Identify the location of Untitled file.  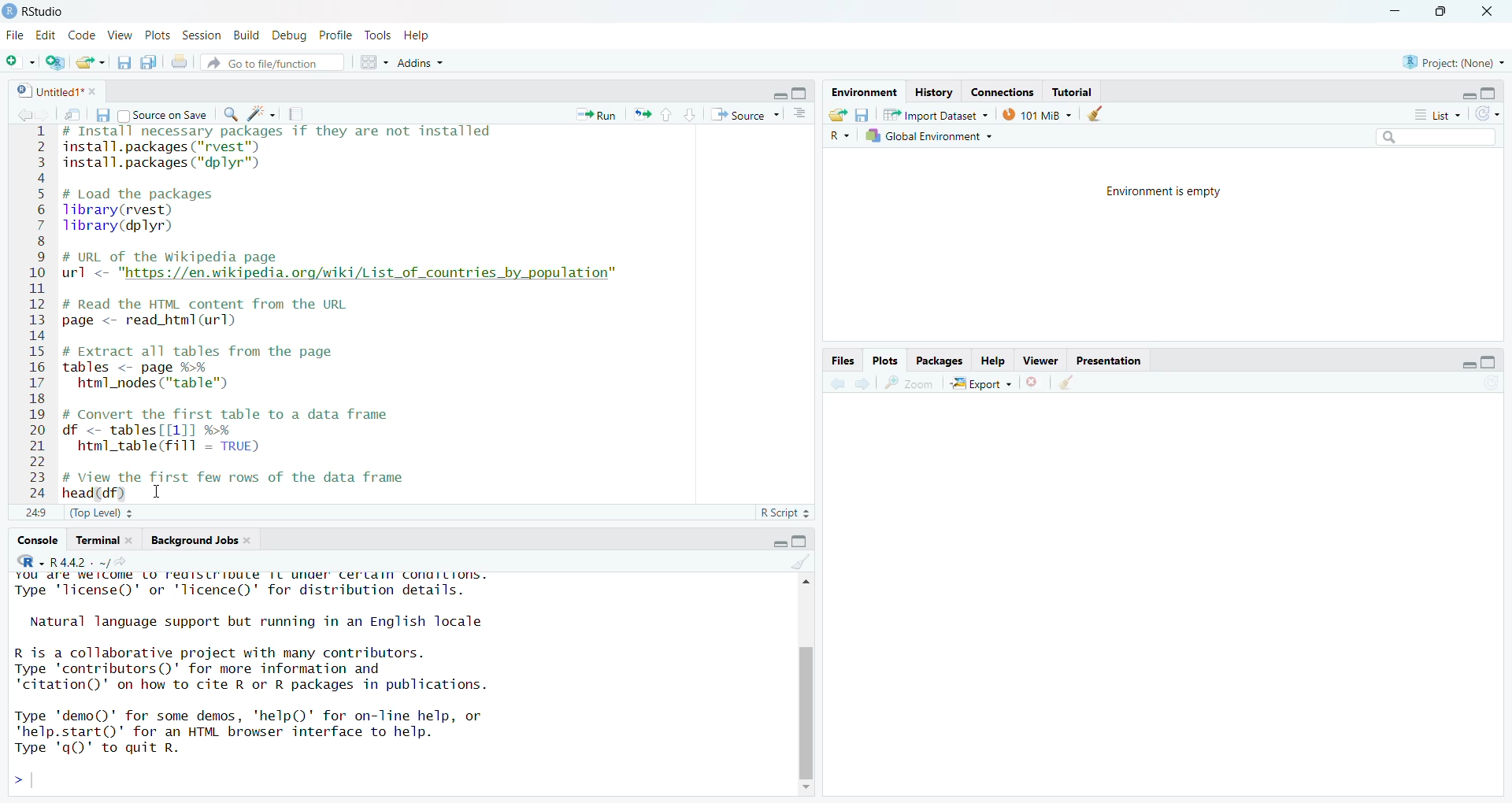
(46, 90).